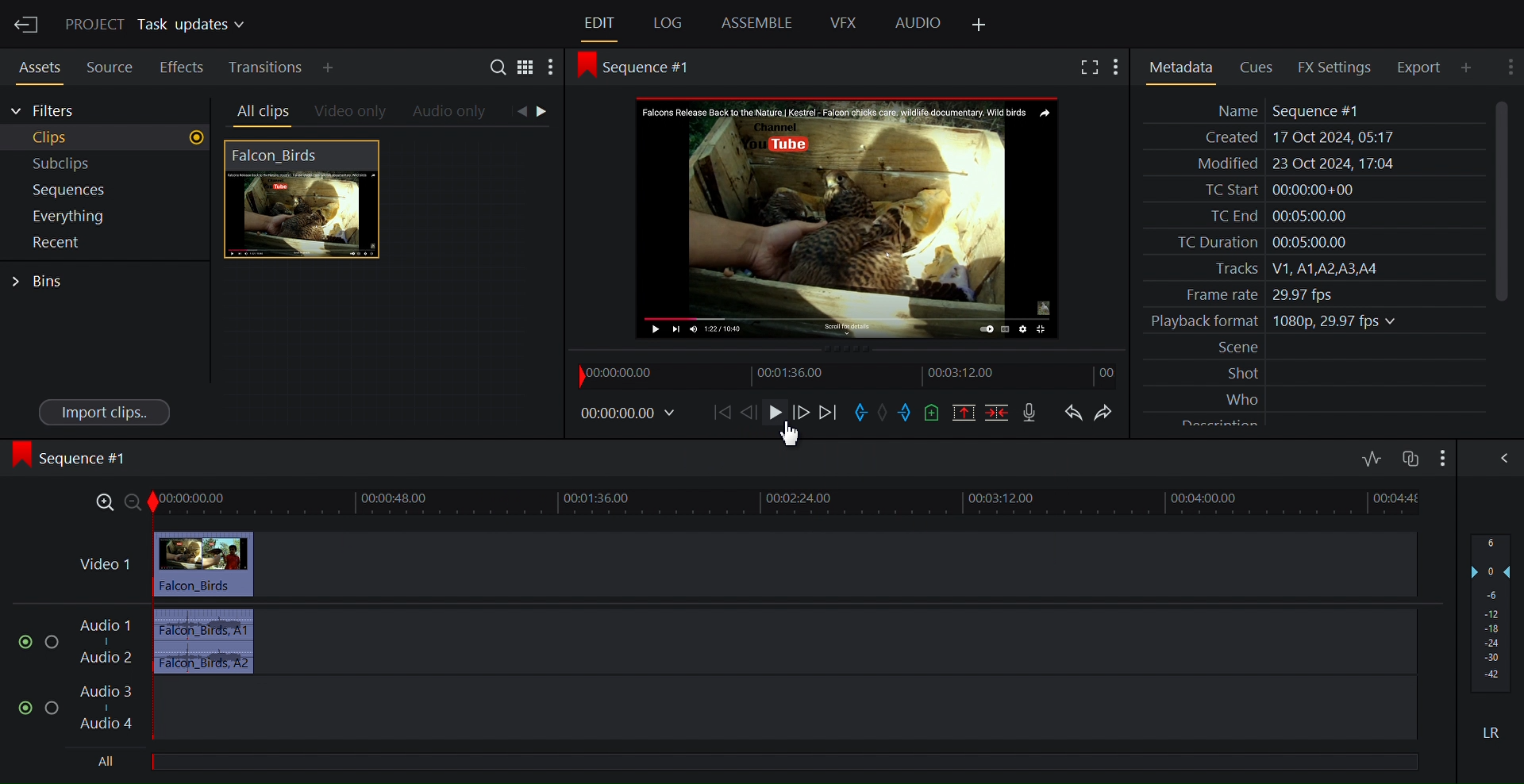 The image size is (1524, 784). Describe the element at coordinates (978, 25) in the screenshot. I see `Add Panel` at that location.